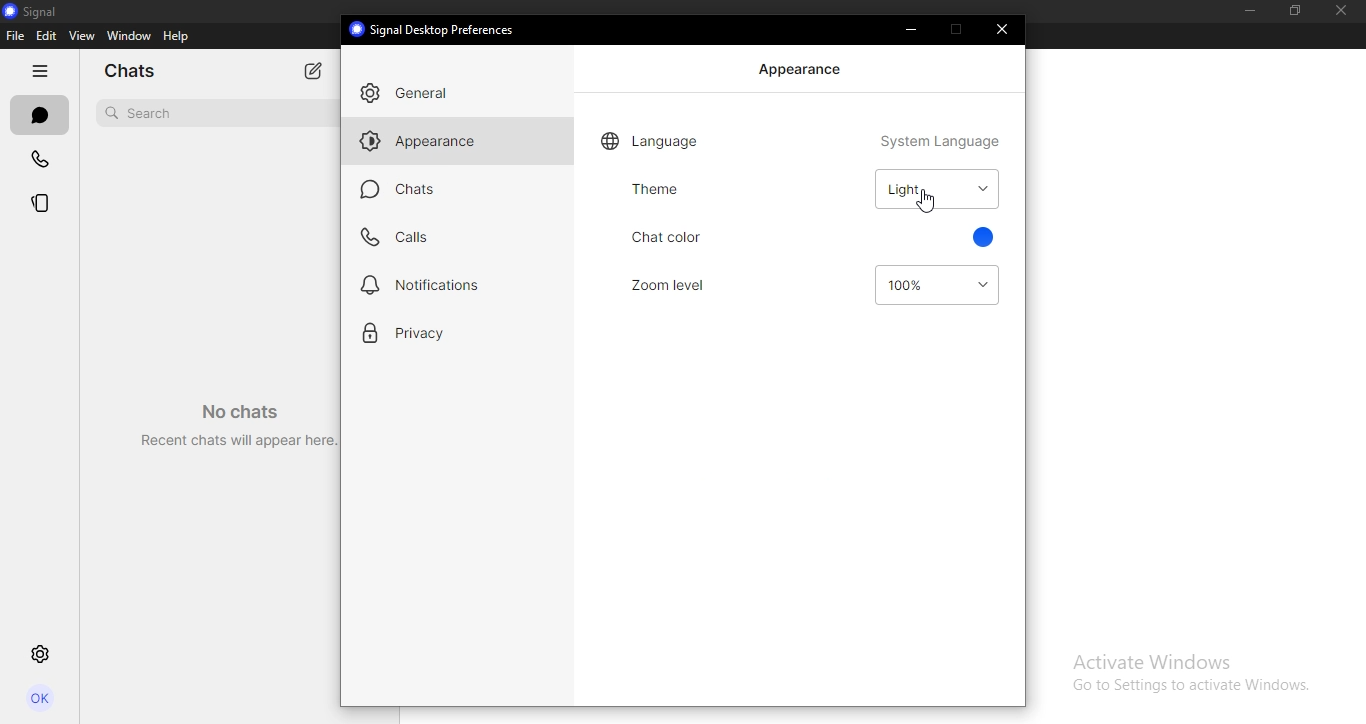 This screenshot has width=1366, height=724. What do you see at coordinates (435, 144) in the screenshot?
I see `appearance` at bounding box center [435, 144].